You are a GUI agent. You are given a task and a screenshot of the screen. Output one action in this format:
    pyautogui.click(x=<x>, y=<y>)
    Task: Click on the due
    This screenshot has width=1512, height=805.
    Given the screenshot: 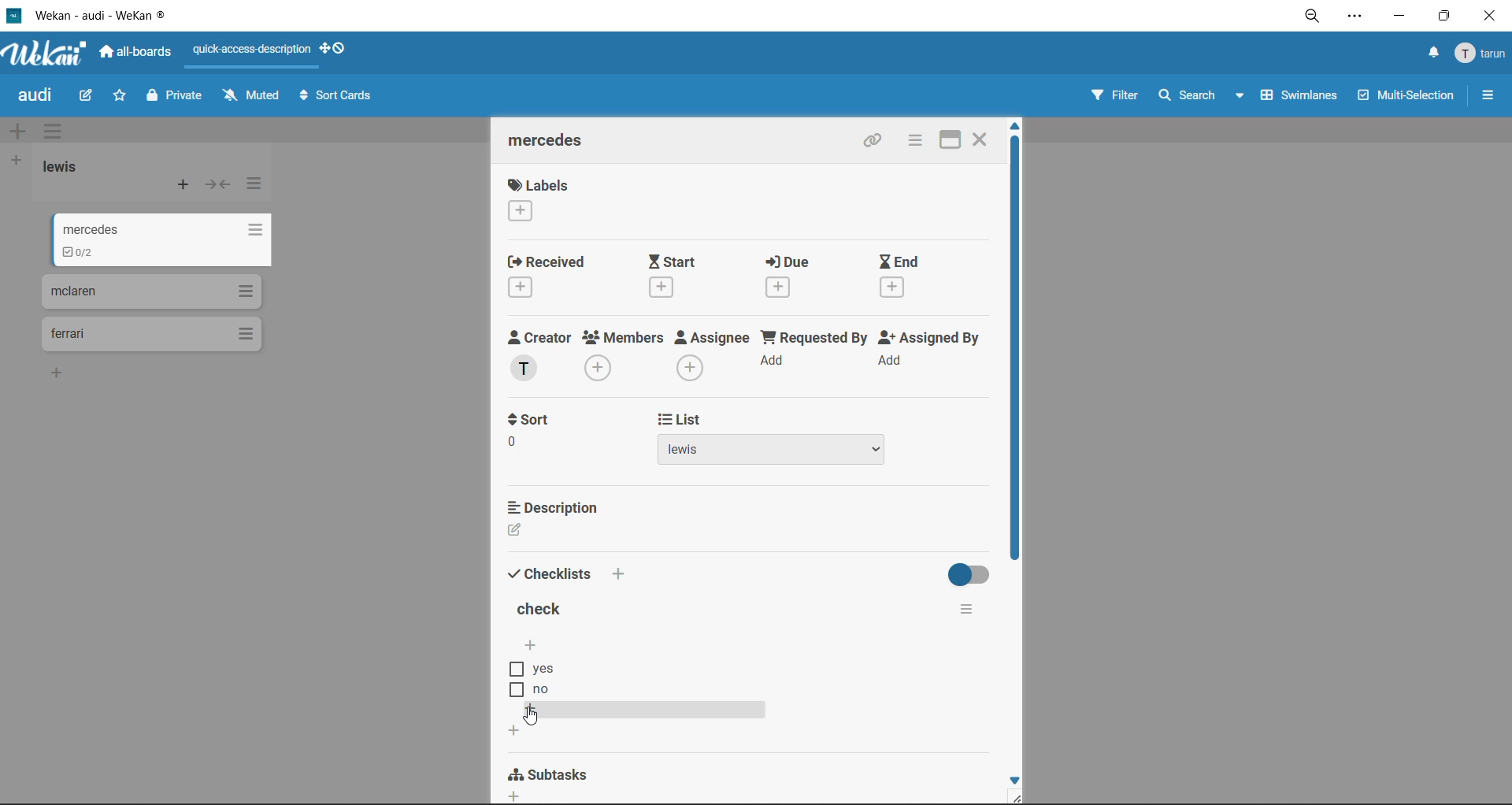 What is the action you would take?
    pyautogui.click(x=789, y=263)
    